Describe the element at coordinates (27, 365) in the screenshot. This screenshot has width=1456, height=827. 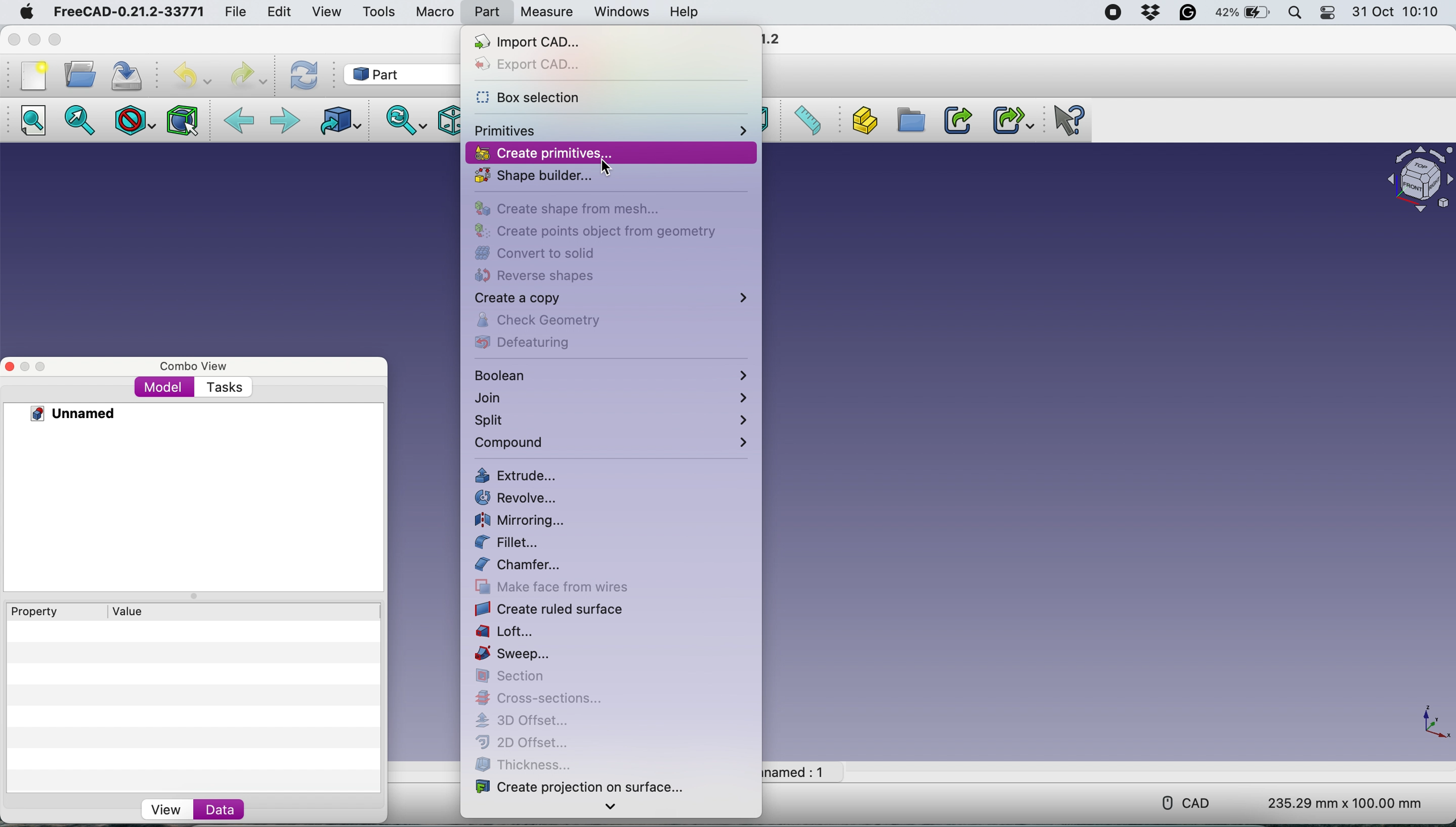
I see `Minimize` at that location.